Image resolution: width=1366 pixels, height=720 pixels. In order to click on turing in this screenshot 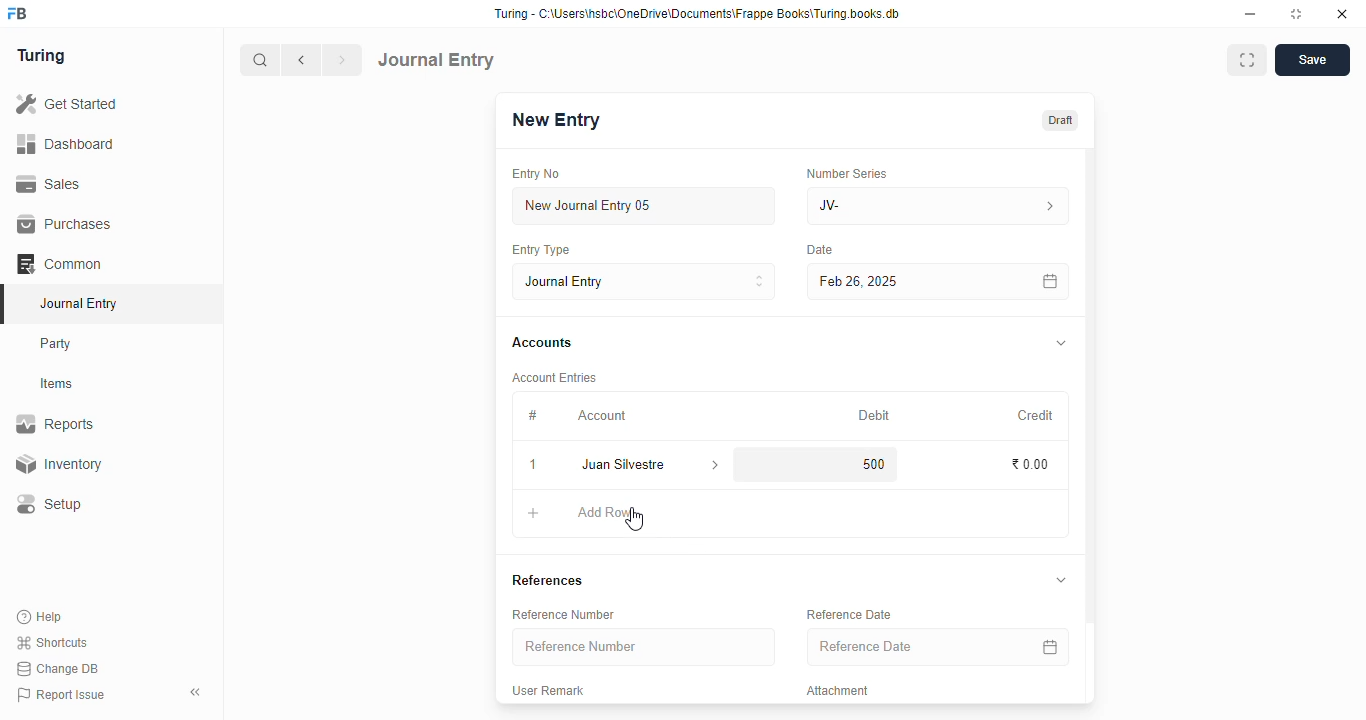, I will do `click(42, 57)`.